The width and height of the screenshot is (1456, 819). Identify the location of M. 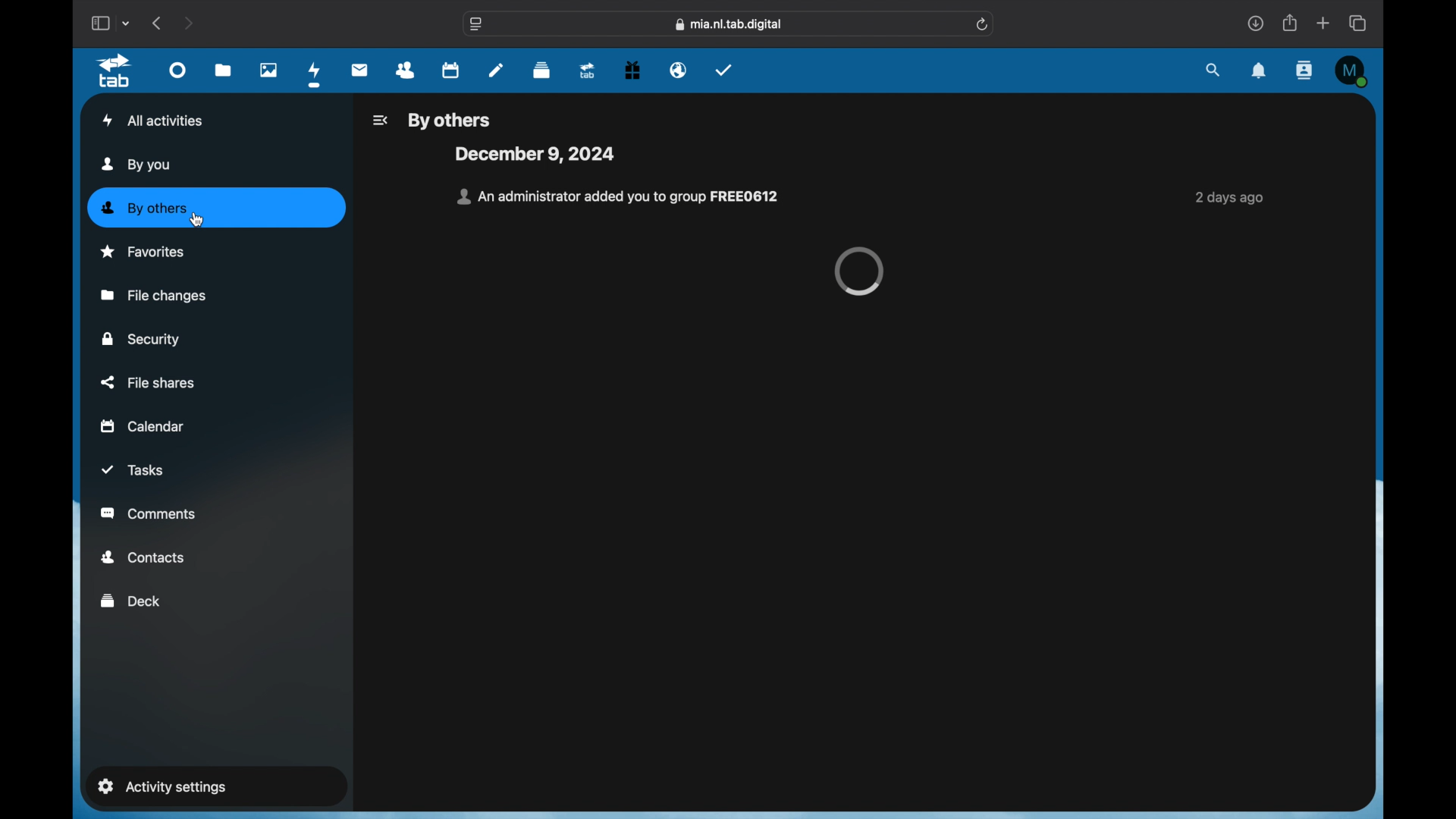
(1354, 71).